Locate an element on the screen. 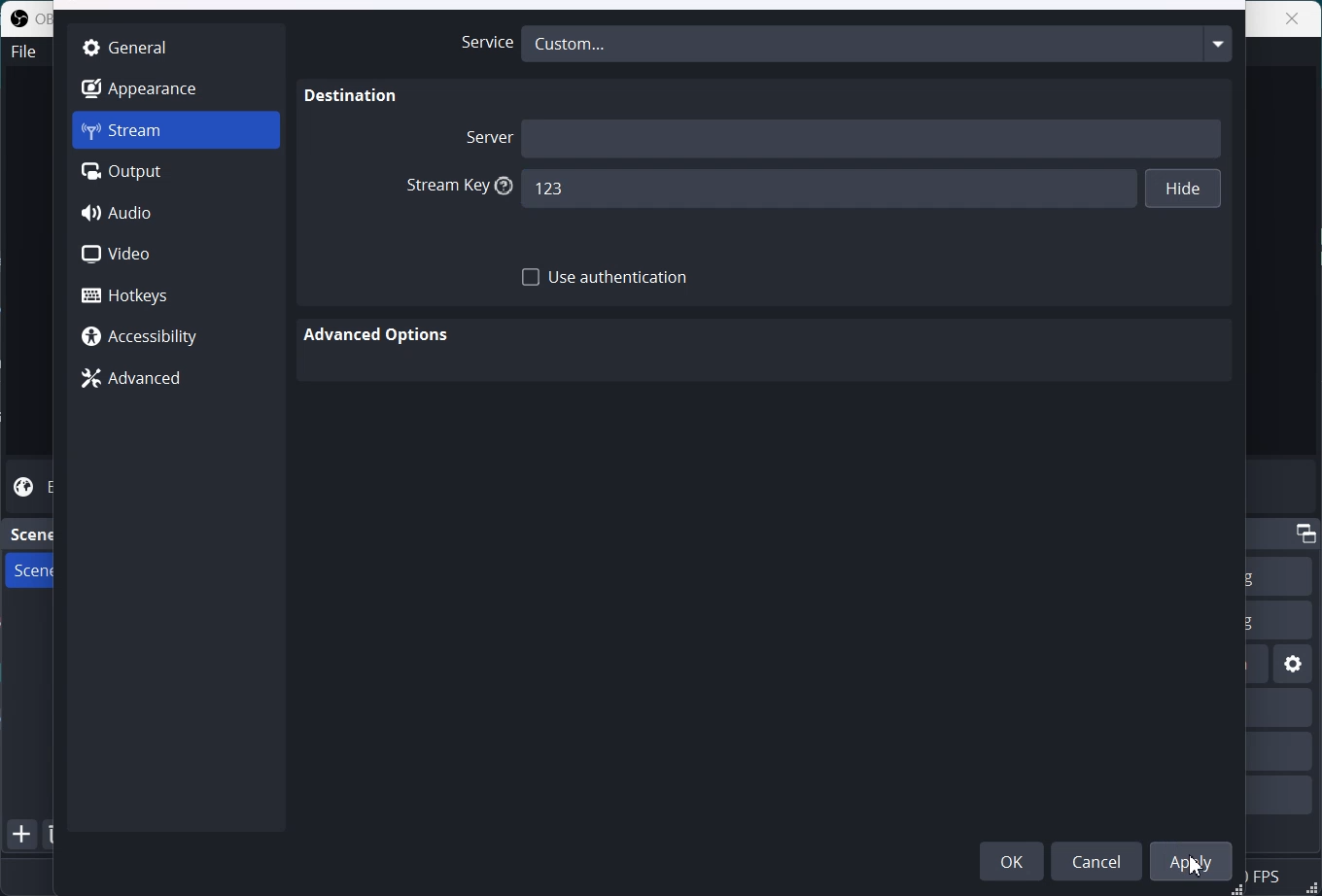 The width and height of the screenshot is (1322, 896). Use Authentication is located at coordinates (606, 278).